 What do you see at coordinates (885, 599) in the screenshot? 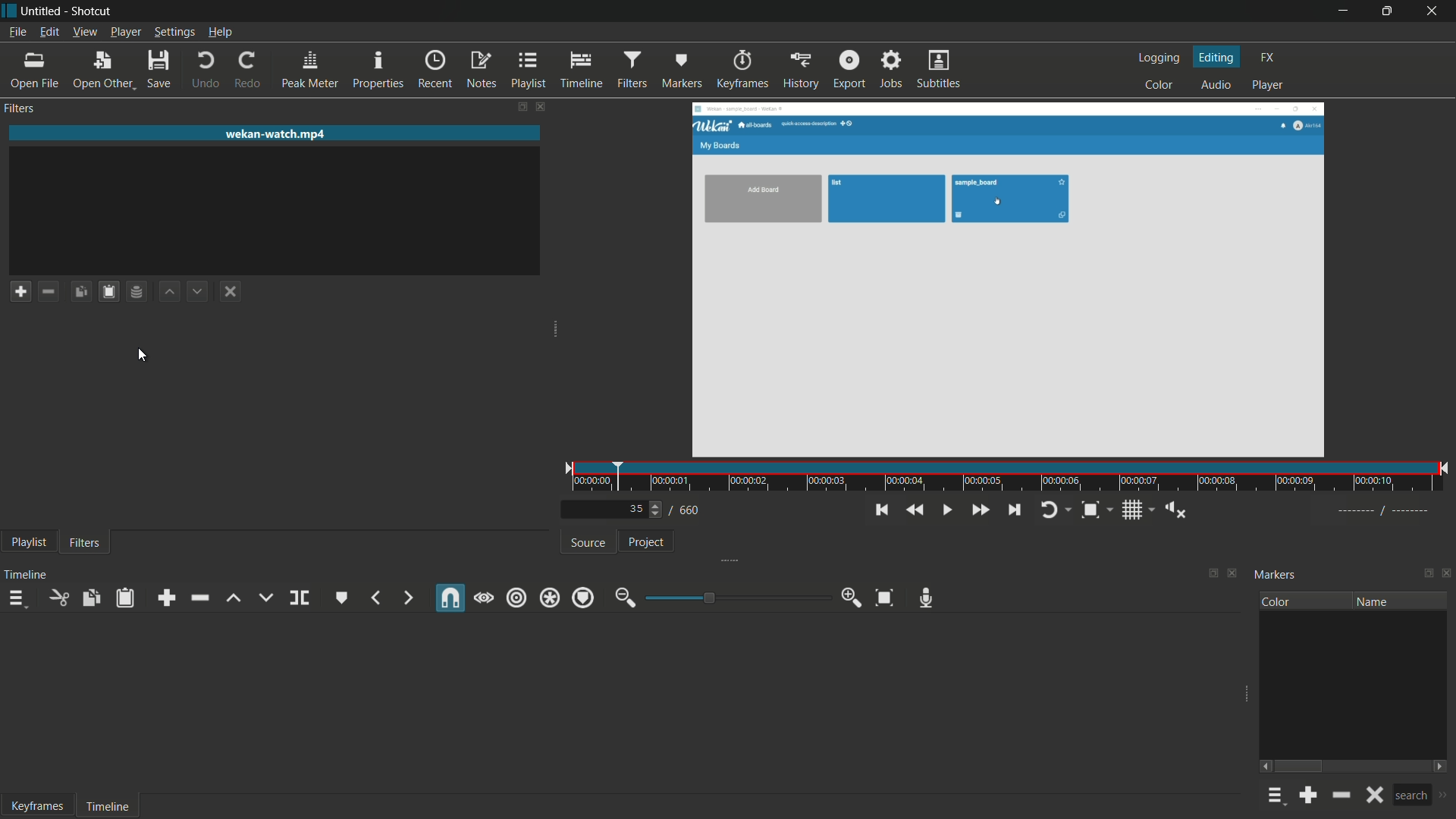
I see `zoom timeline to fit` at bounding box center [885, 599].